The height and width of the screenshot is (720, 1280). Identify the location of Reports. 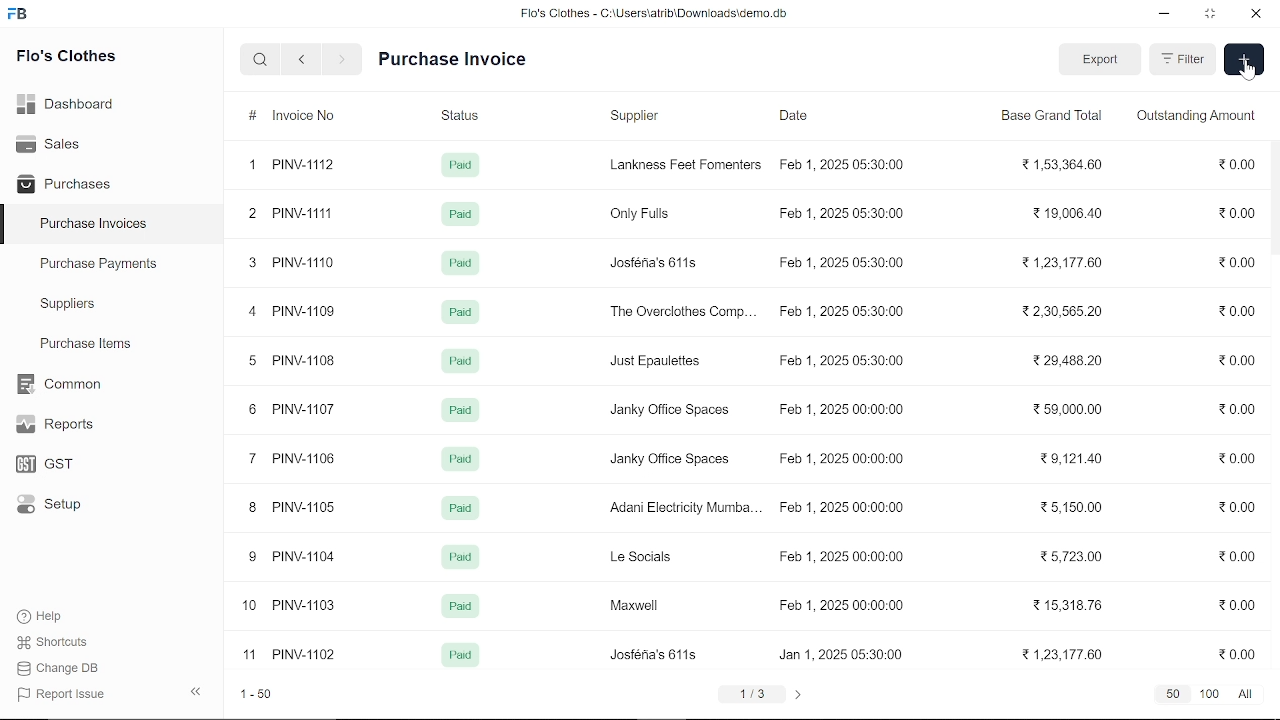
(54, 425).